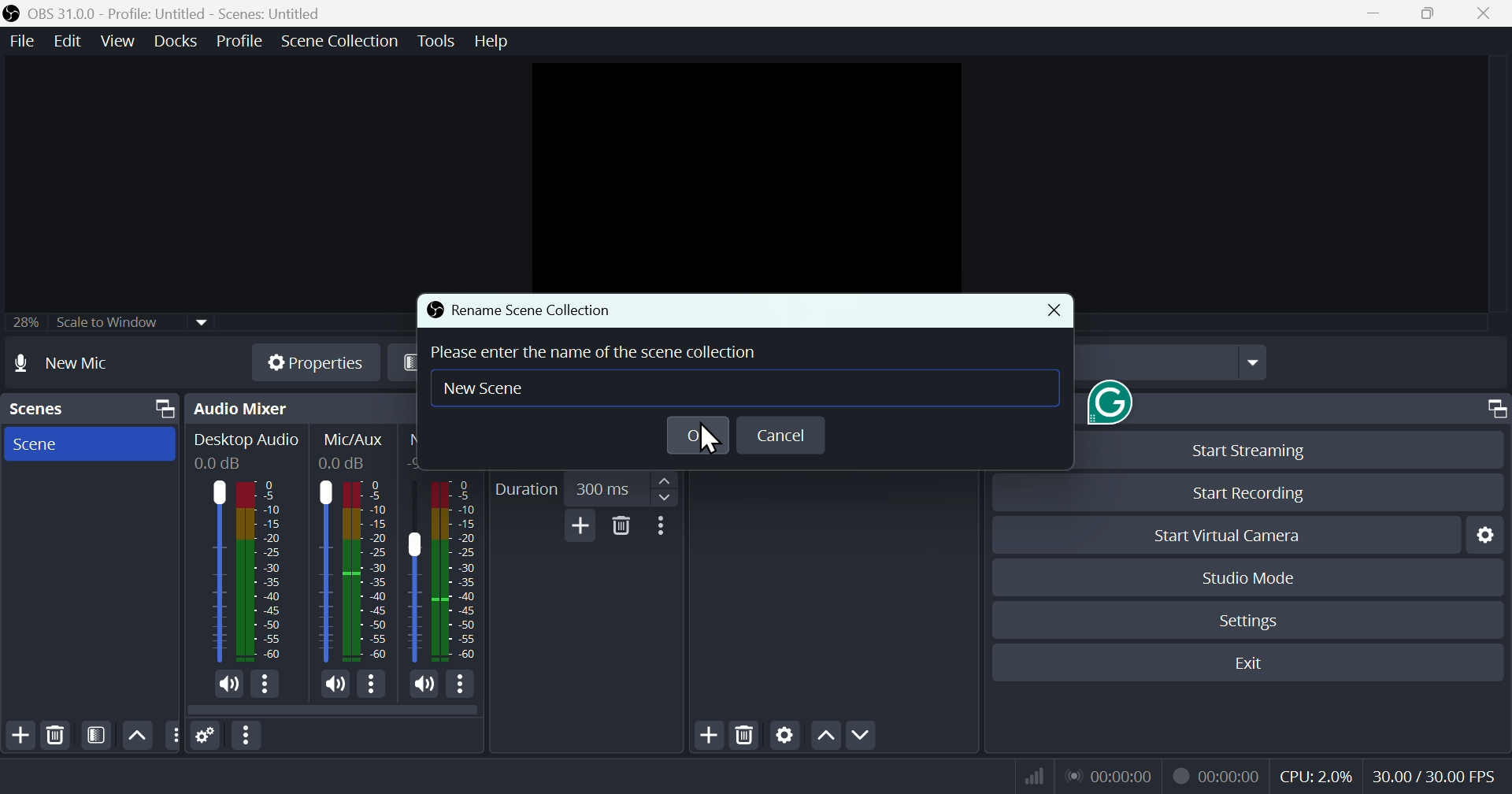  Describe the element at coordinates (89, 409) in the screenshot. I see `Scenes` at that location.